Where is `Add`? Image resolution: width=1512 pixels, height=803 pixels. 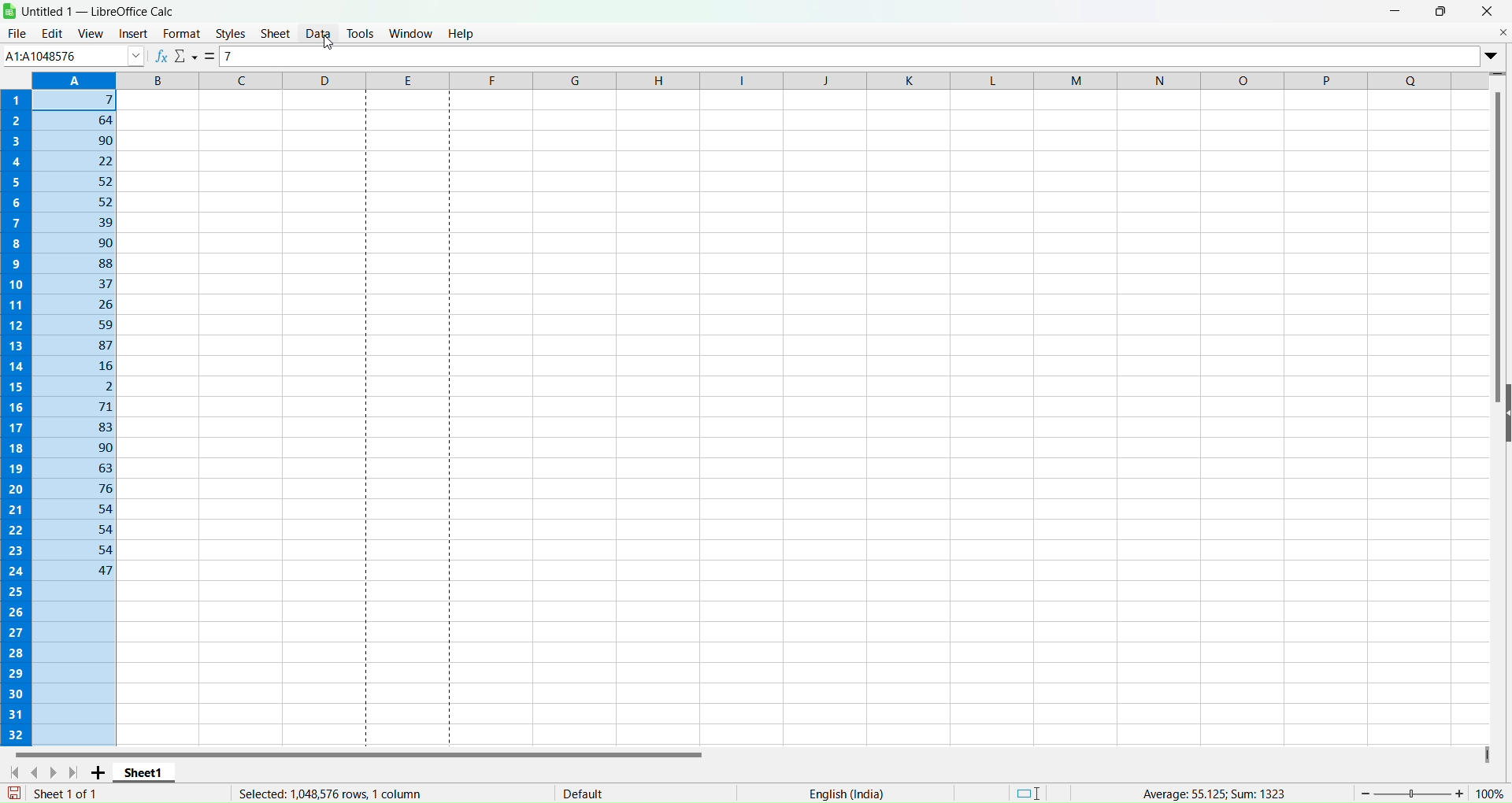 Add is located at coordinates (101, 772).